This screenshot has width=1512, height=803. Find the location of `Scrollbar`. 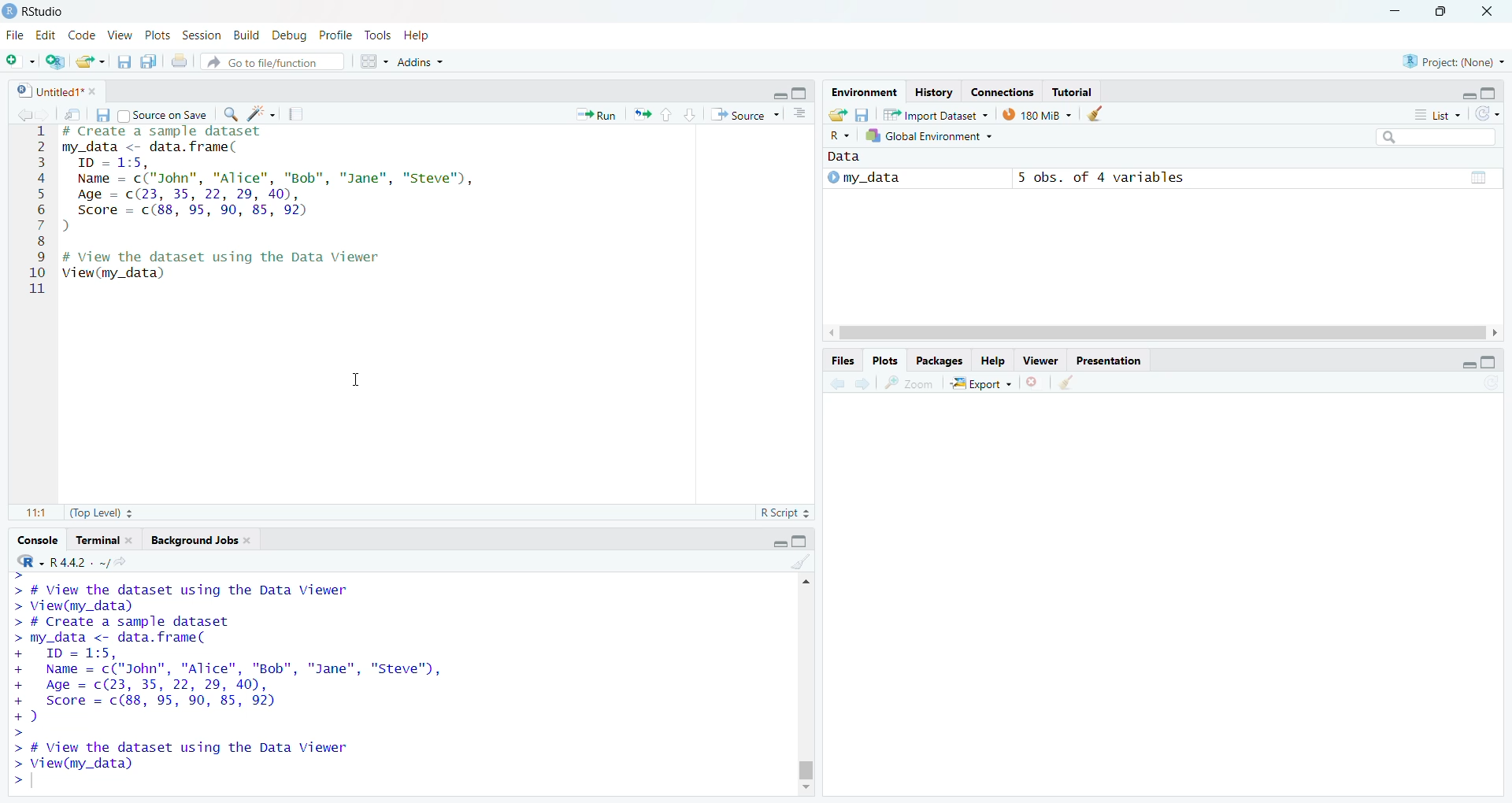

Scrollbar is located at coordinates (805, 690).